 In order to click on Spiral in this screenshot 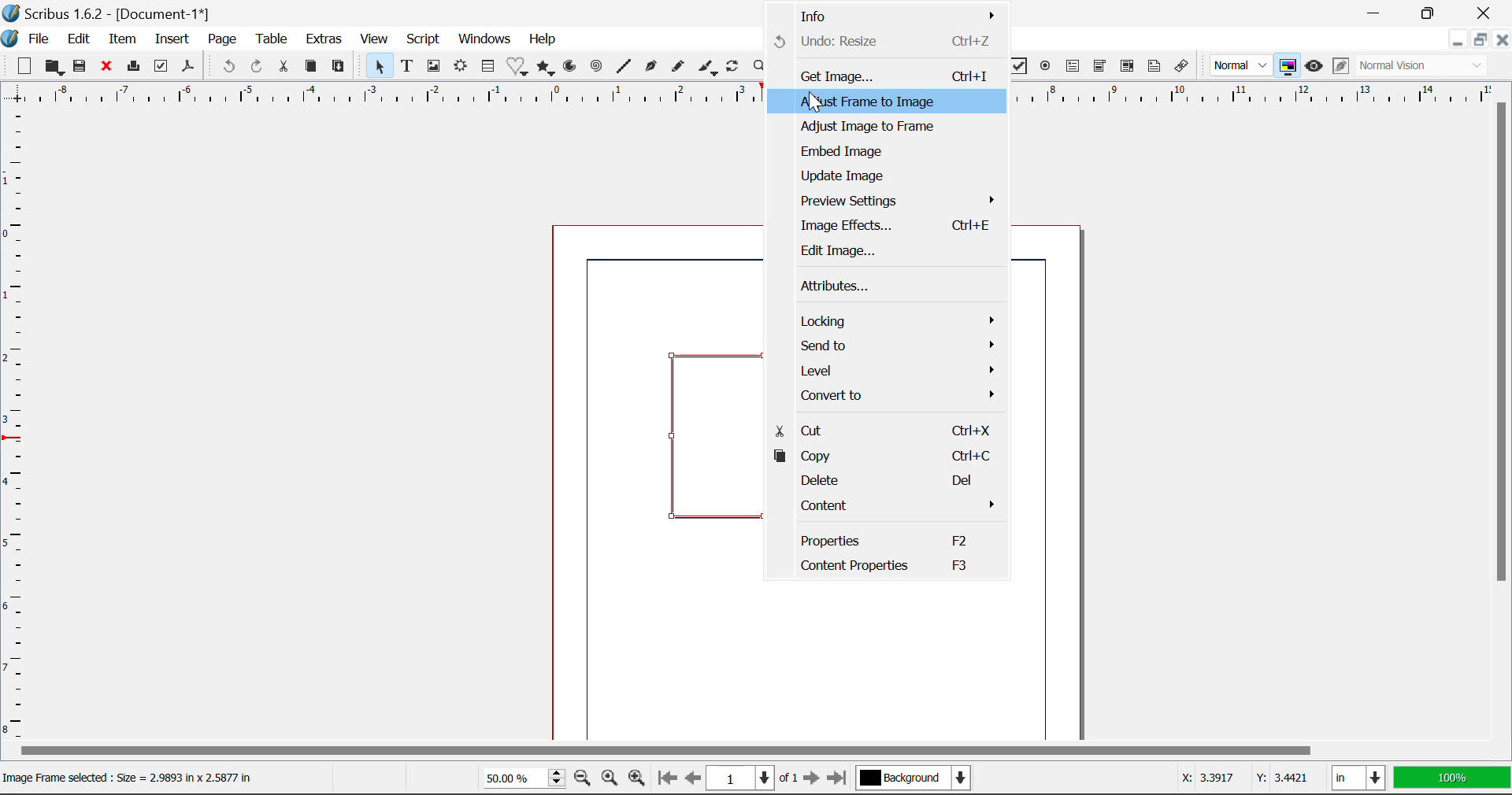, I will do `click(595, 68)`.